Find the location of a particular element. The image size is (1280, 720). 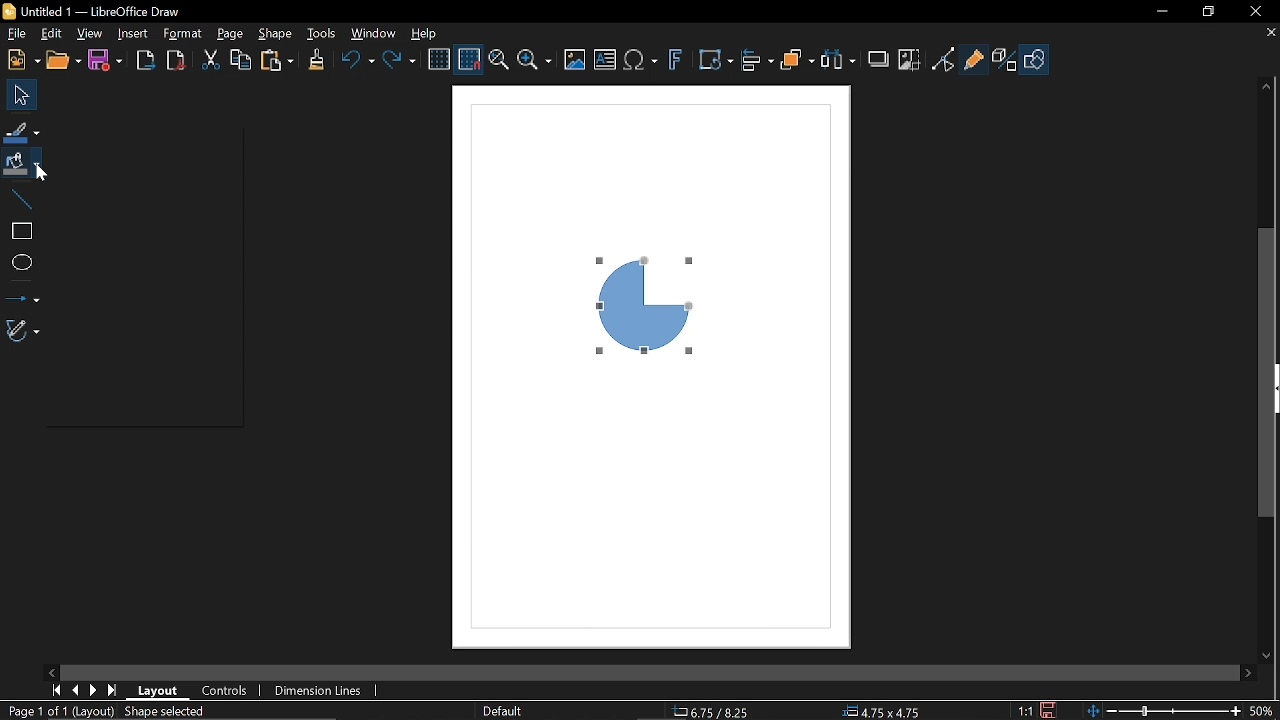

Minimize is located at coordinates (1162, 13).